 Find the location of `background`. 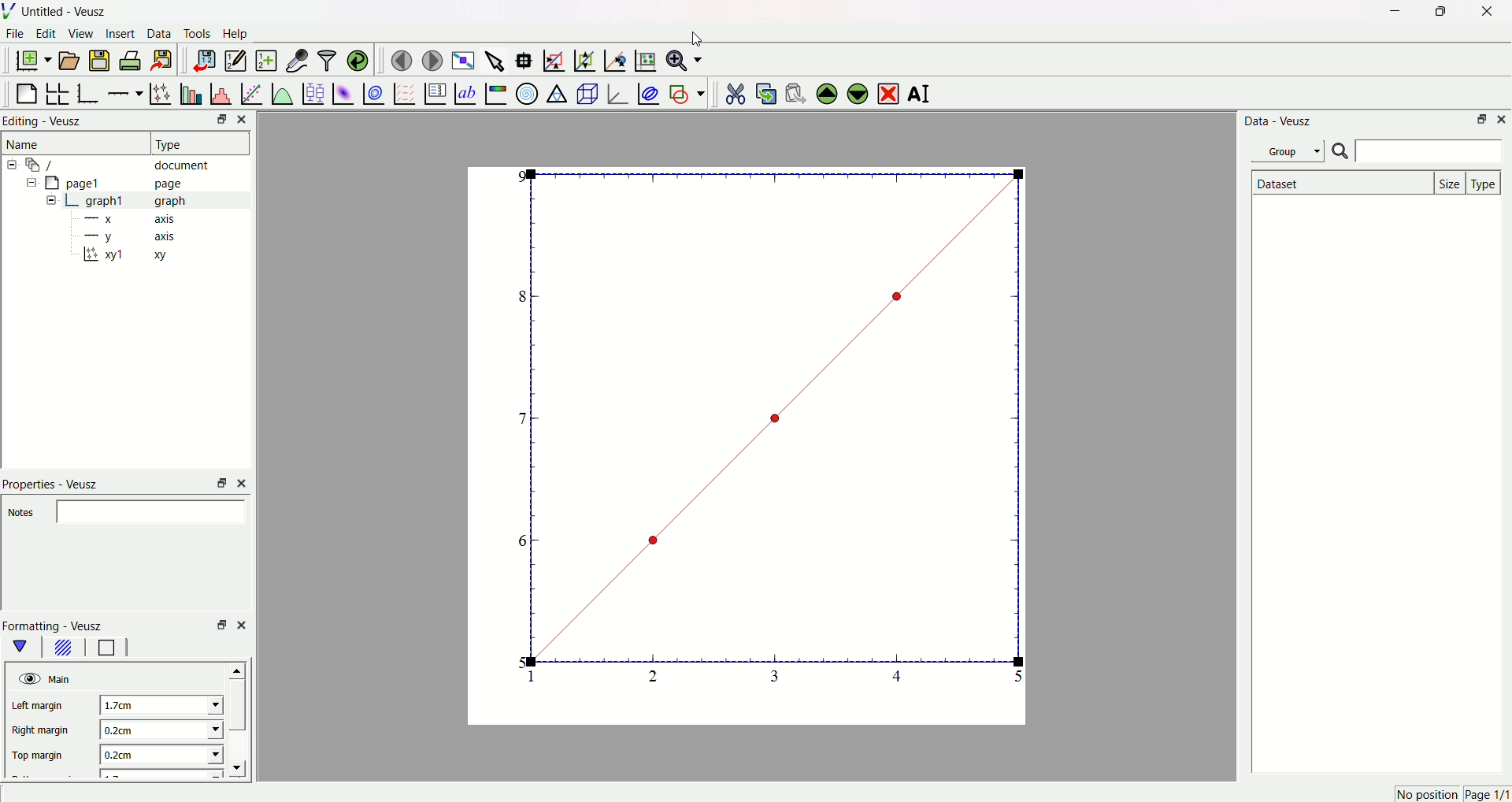

background is located at coordinates (64, 649).